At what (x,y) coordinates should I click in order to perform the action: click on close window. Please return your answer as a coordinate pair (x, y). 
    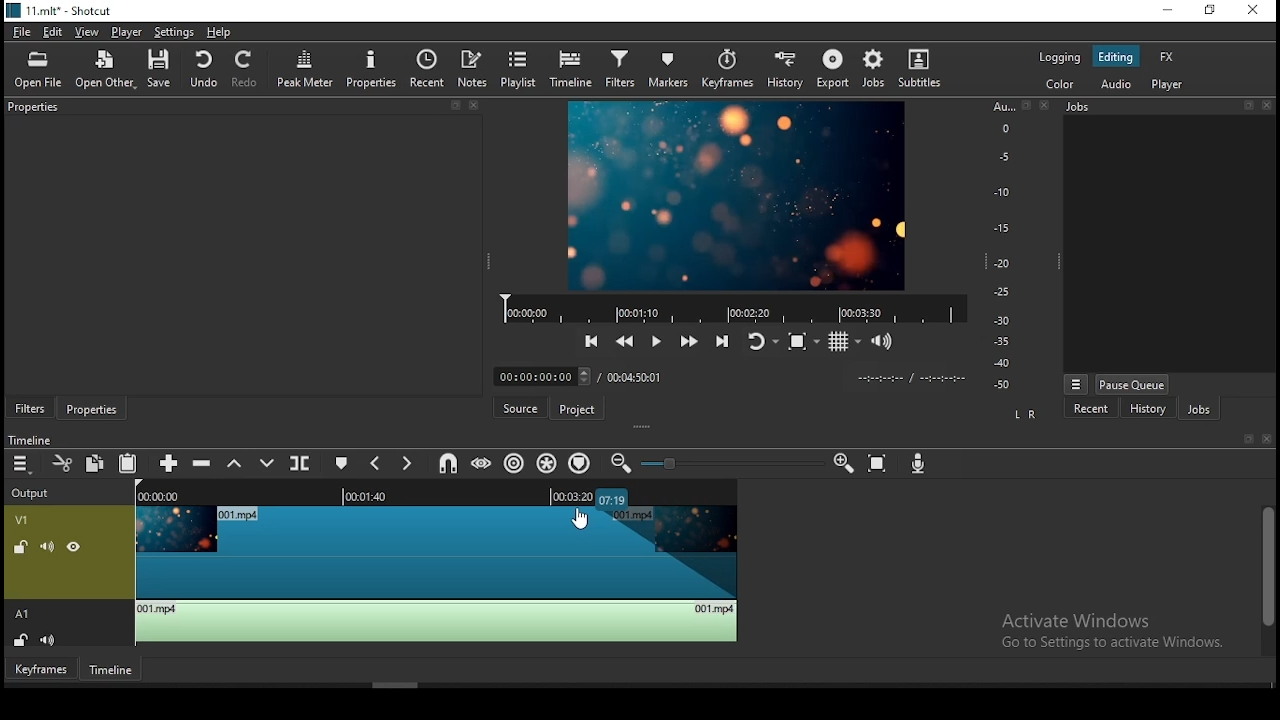
    Looking at the image, I should click on (1251, 11).